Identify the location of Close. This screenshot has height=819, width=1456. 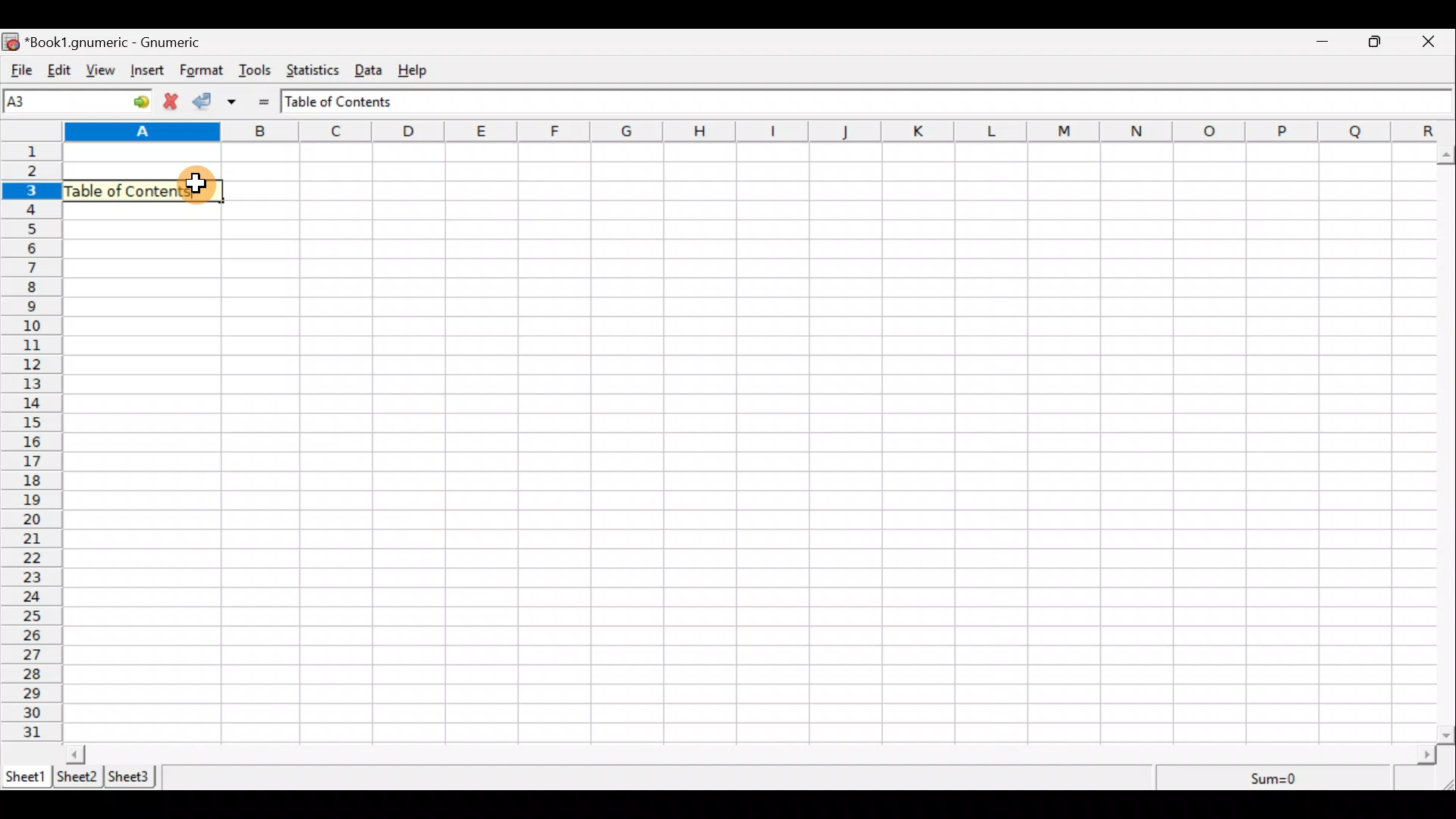
(1435, 42).